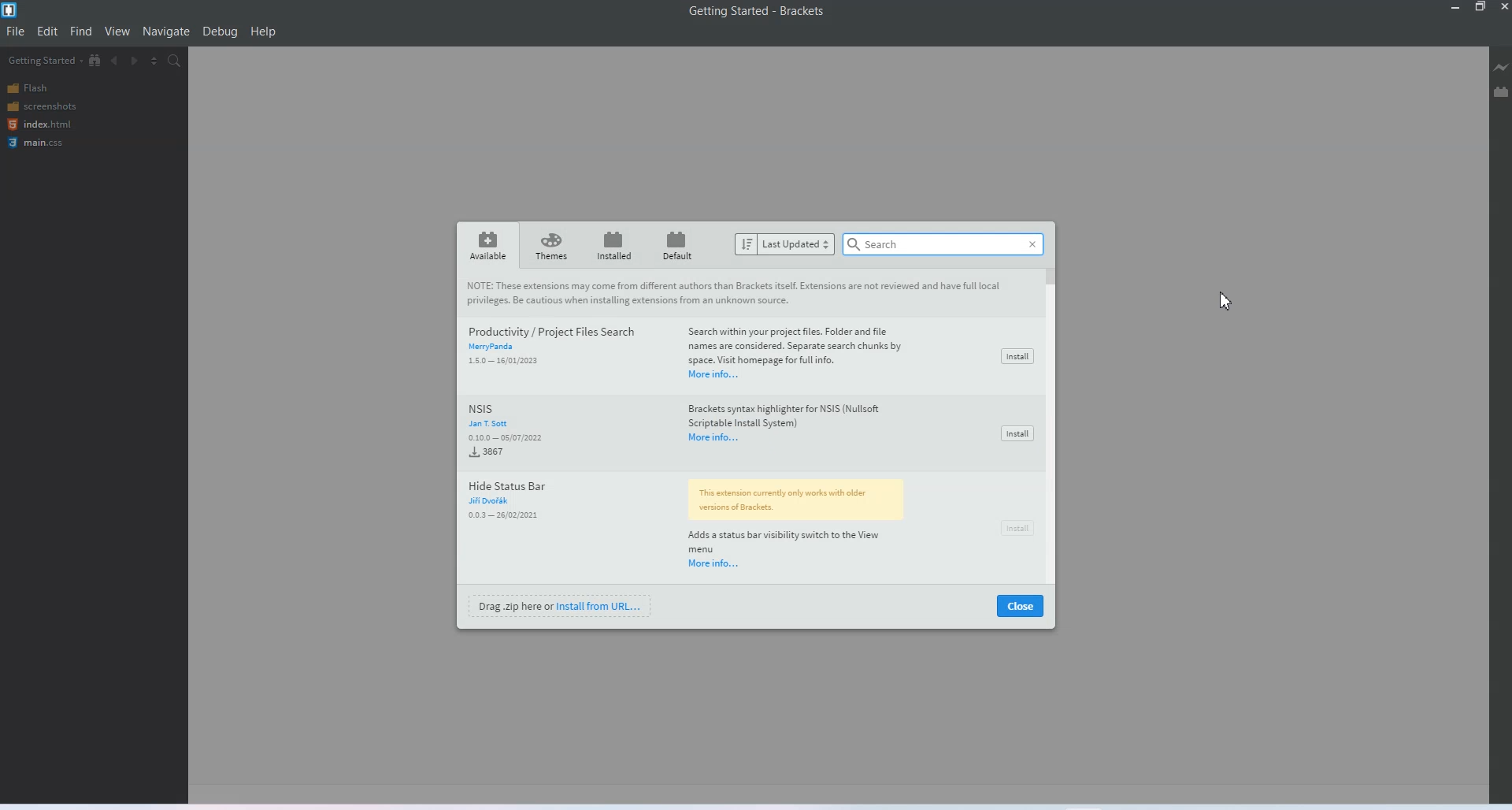 The width and height of the screenshot is (1512, 810). Describe the element at coordinates (560, 605) in the screenshot. I see `Install from URL` at that location.